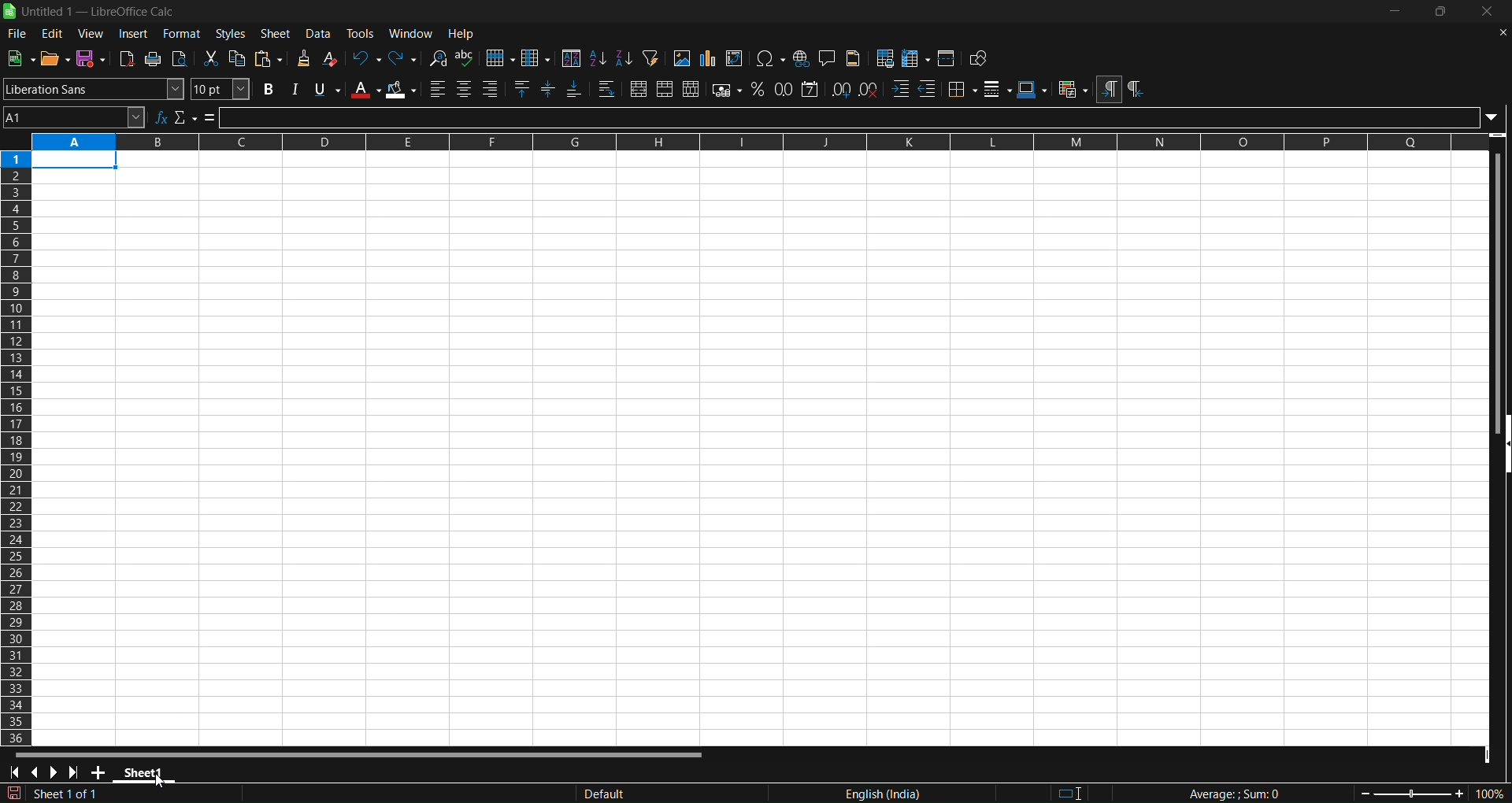 The height and width of the screenshot is (803, 1512). I want to click on clear direct formatting, so click(332, 58).